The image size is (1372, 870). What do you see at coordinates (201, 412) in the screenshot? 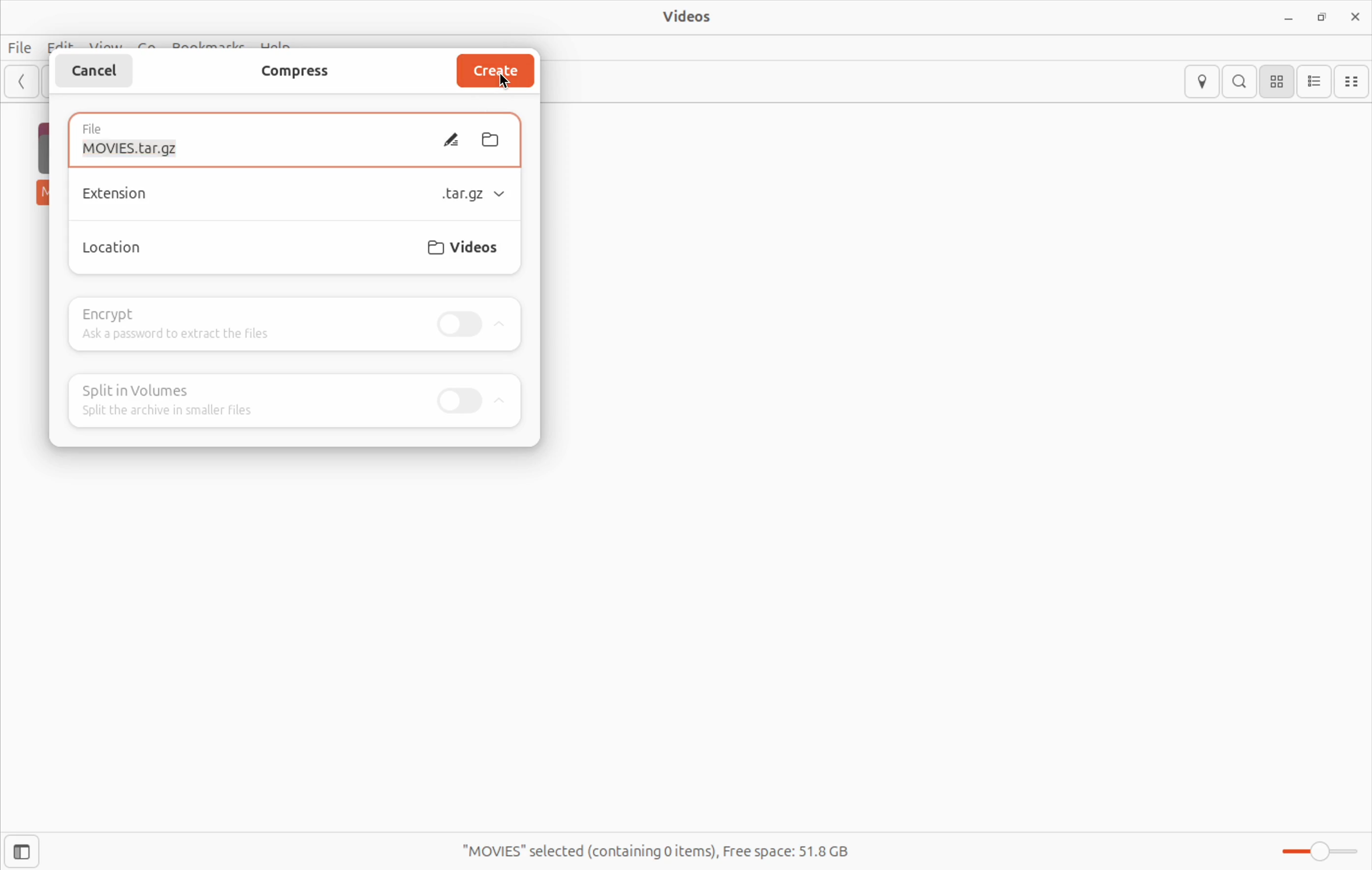
I see `split the archive` at bounding box center [201, 412].